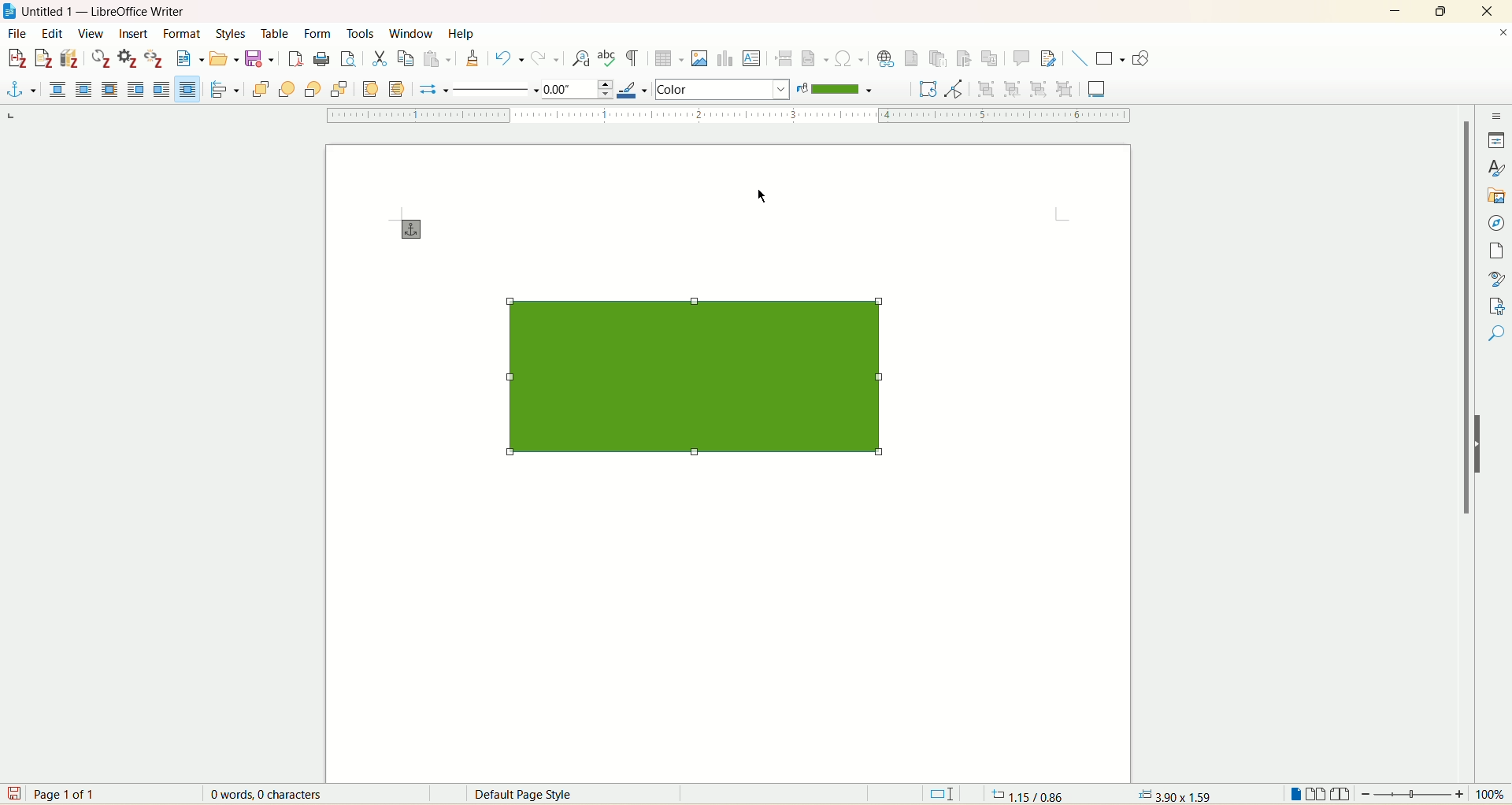 The width and height of the screenshot is (1512, 805). I want to click on multiple page view, so click(1317, 796).